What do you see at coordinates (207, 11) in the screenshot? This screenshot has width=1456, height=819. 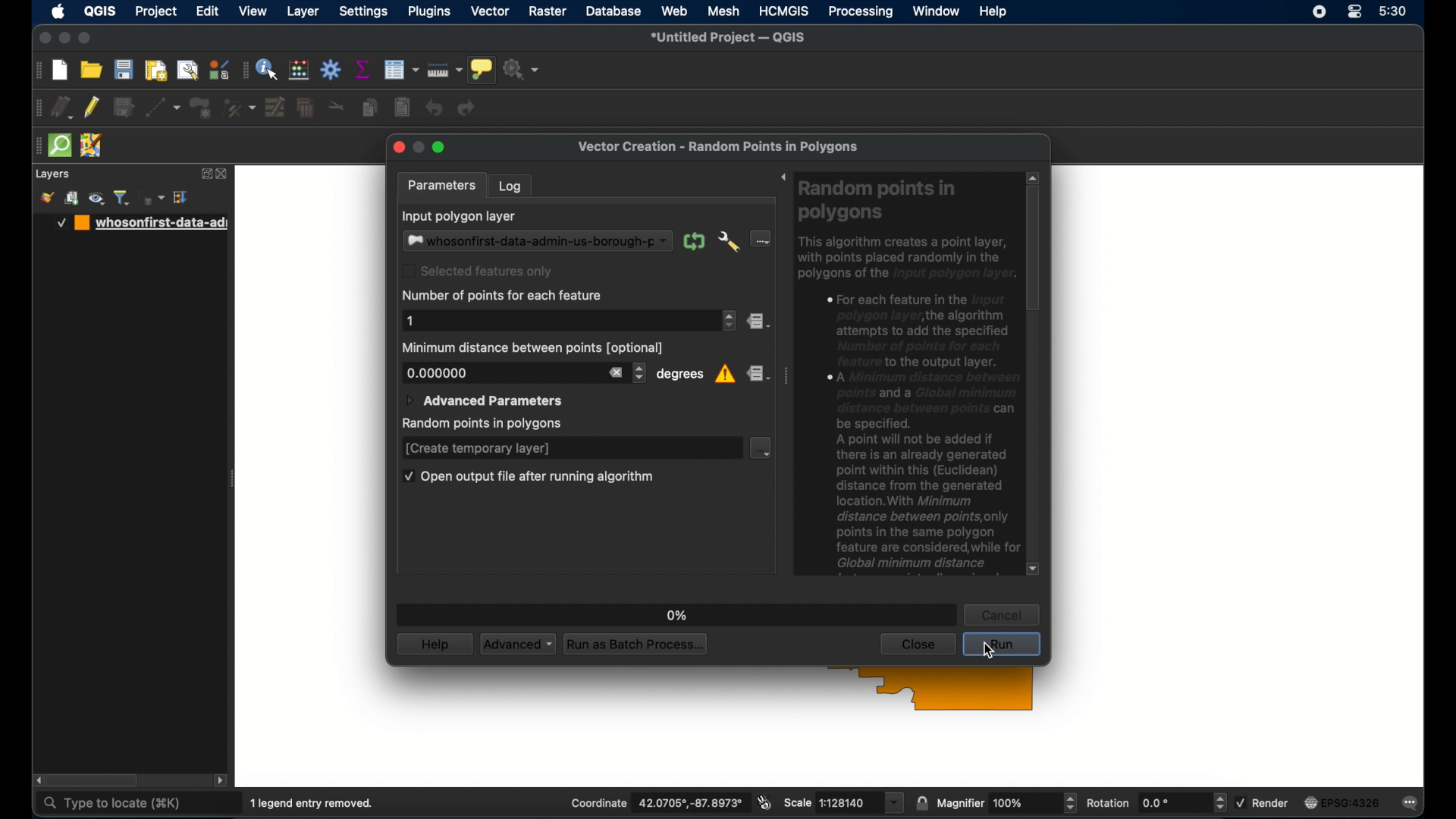 I see `edit` at bounding box center [207, 11].